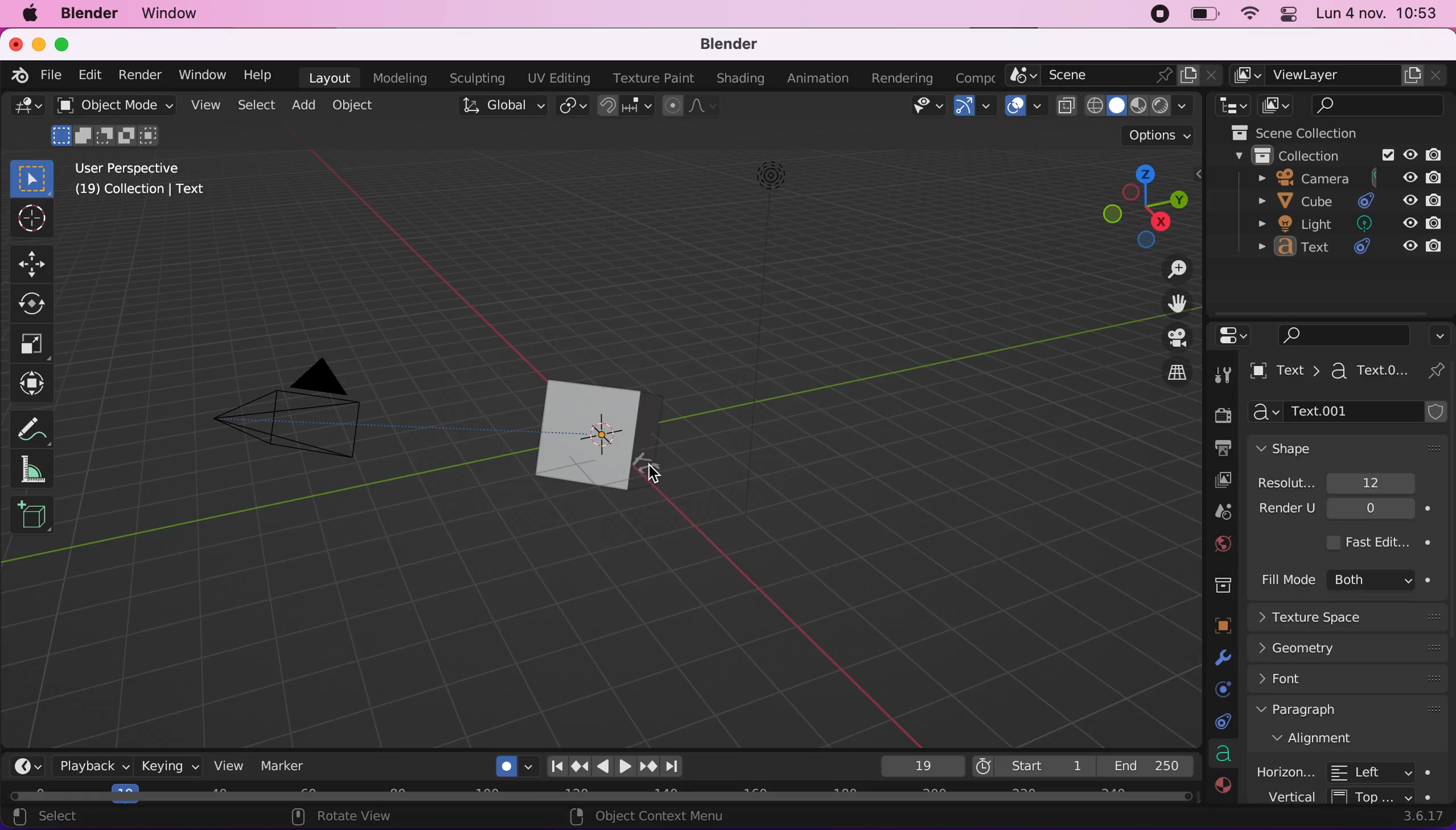 Image resolution: width=1456 pixels, height=830 pixels. Describe the element at coordinates (1177, 304) in the screenshot. I see `move the view` at that location.